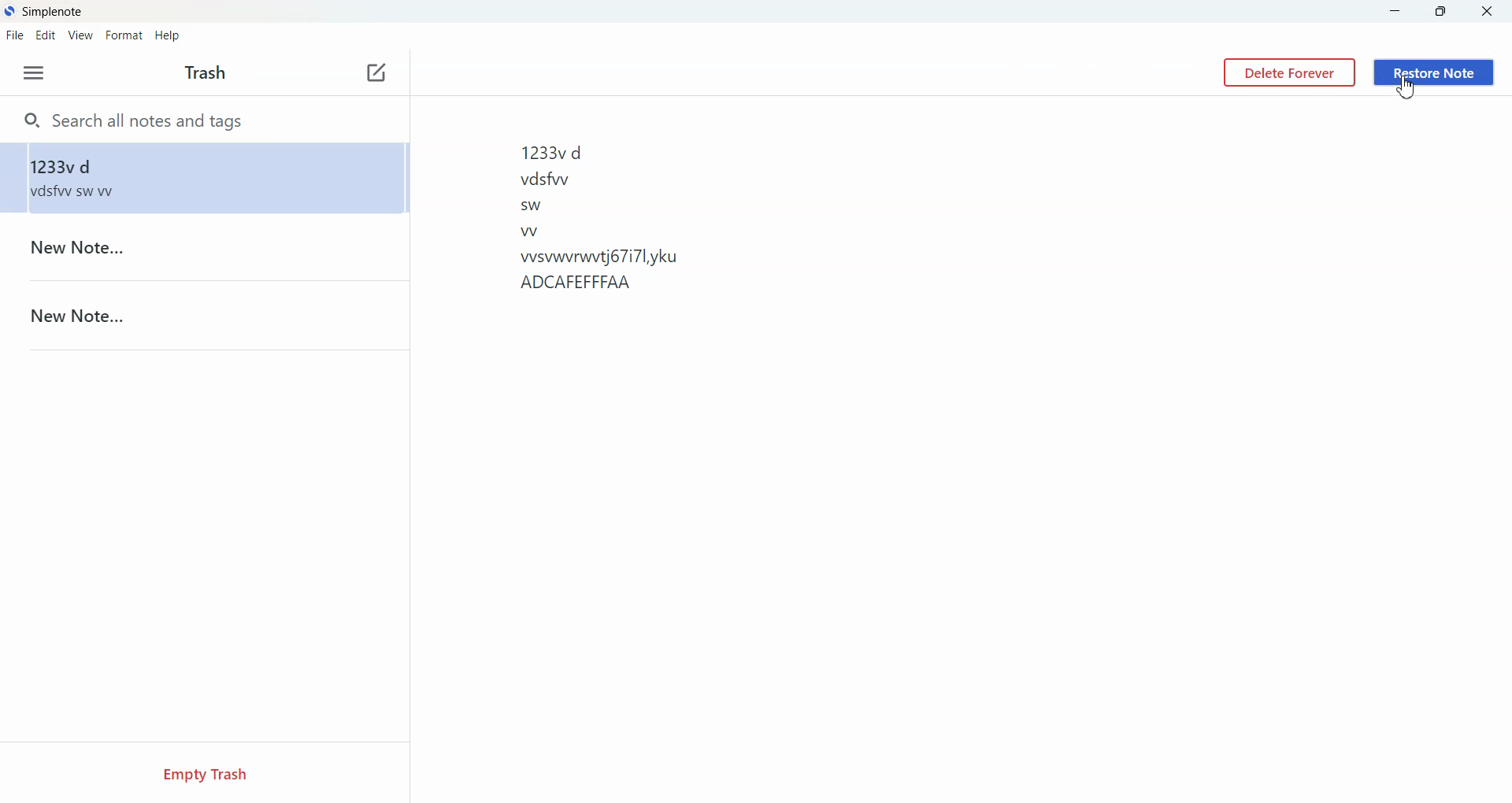 This screenshot has width=1512, height=803. What do you see at coordinates (1405, 89) in the screenshot?
I see `Cursor` at bounding box center [1405, 89].